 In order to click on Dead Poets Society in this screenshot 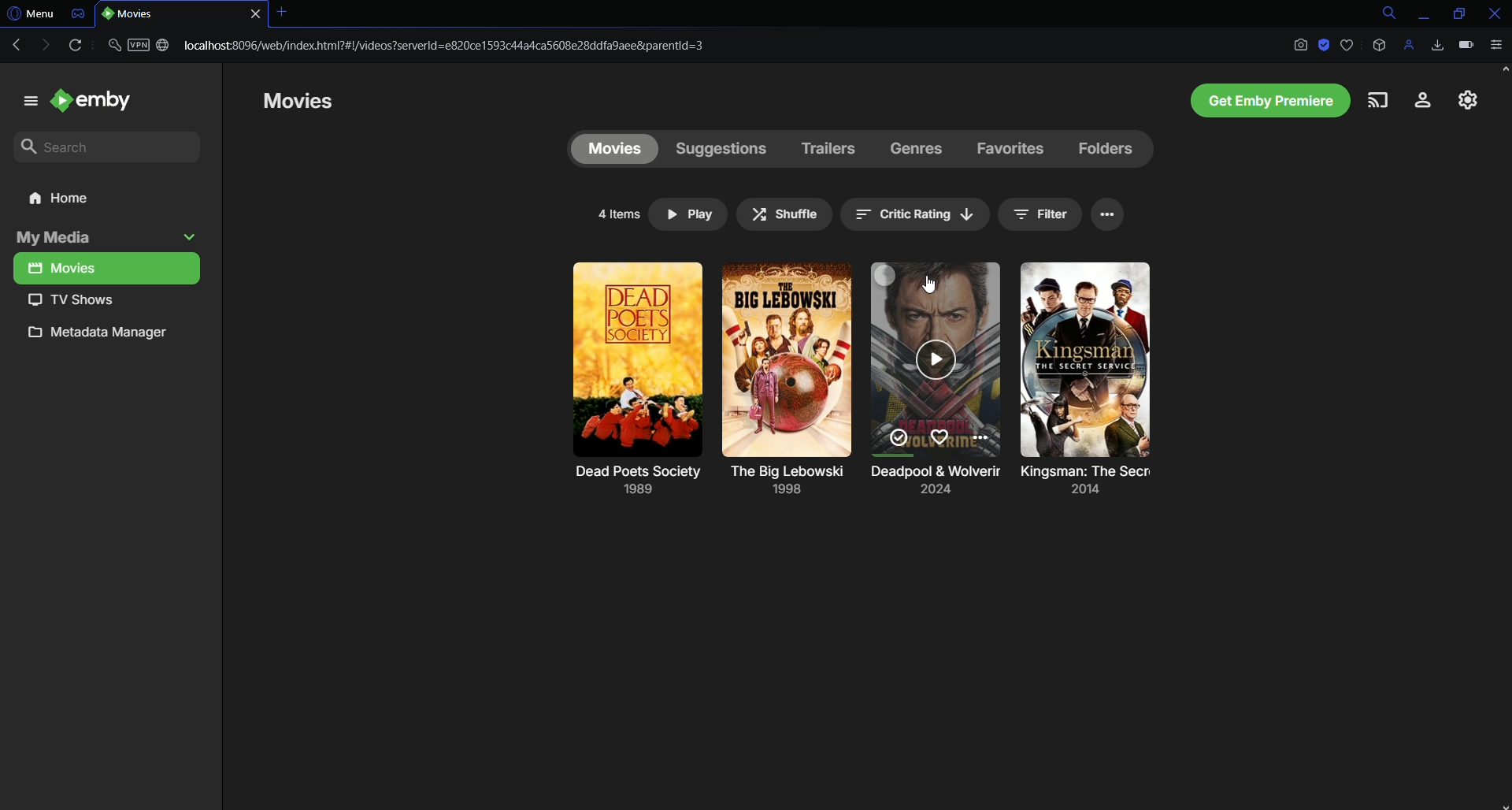, I will do `click(635, 485)`.